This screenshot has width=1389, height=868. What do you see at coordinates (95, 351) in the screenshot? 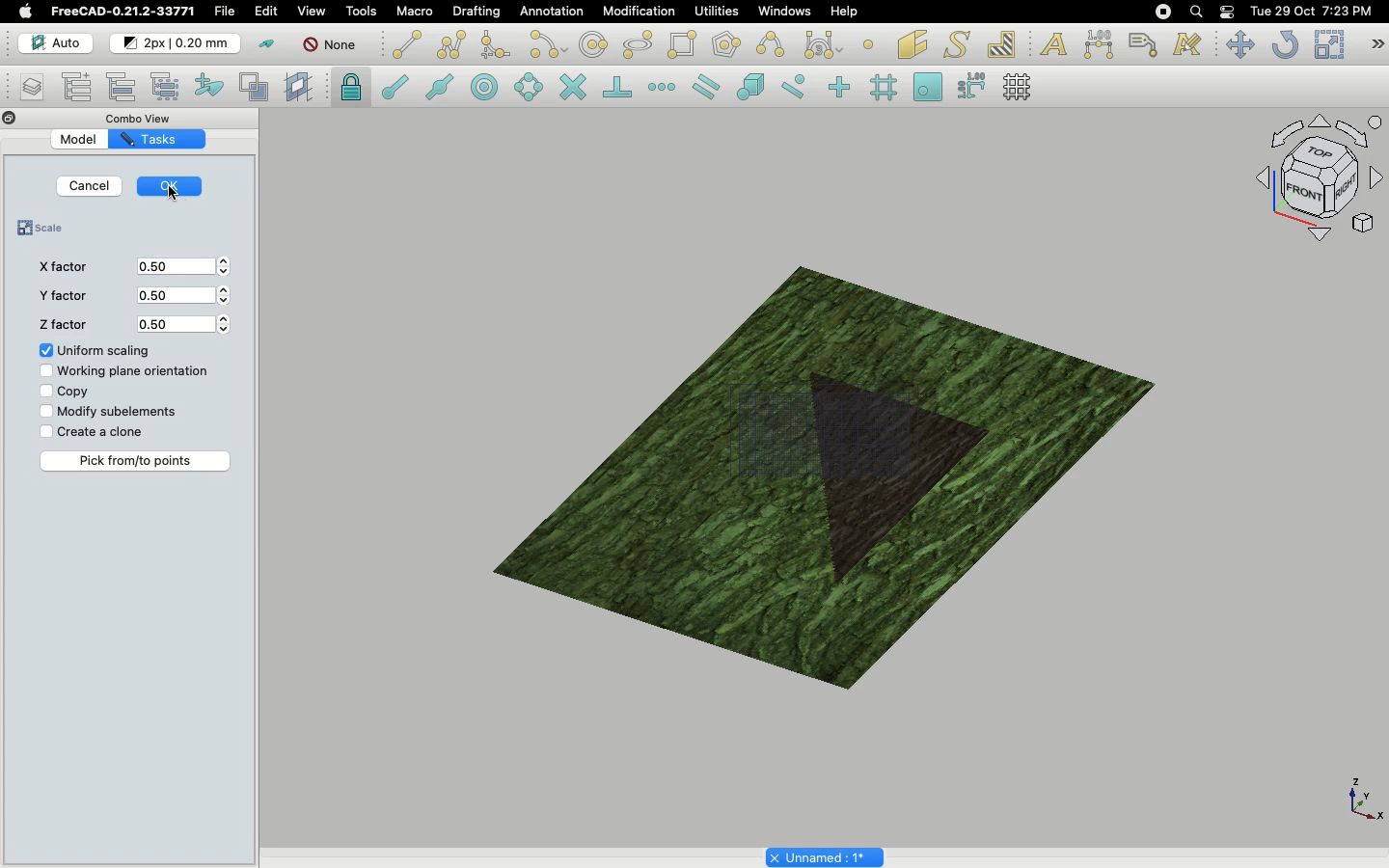
I see `Uniform scaling` at bounding box center [95, 351].